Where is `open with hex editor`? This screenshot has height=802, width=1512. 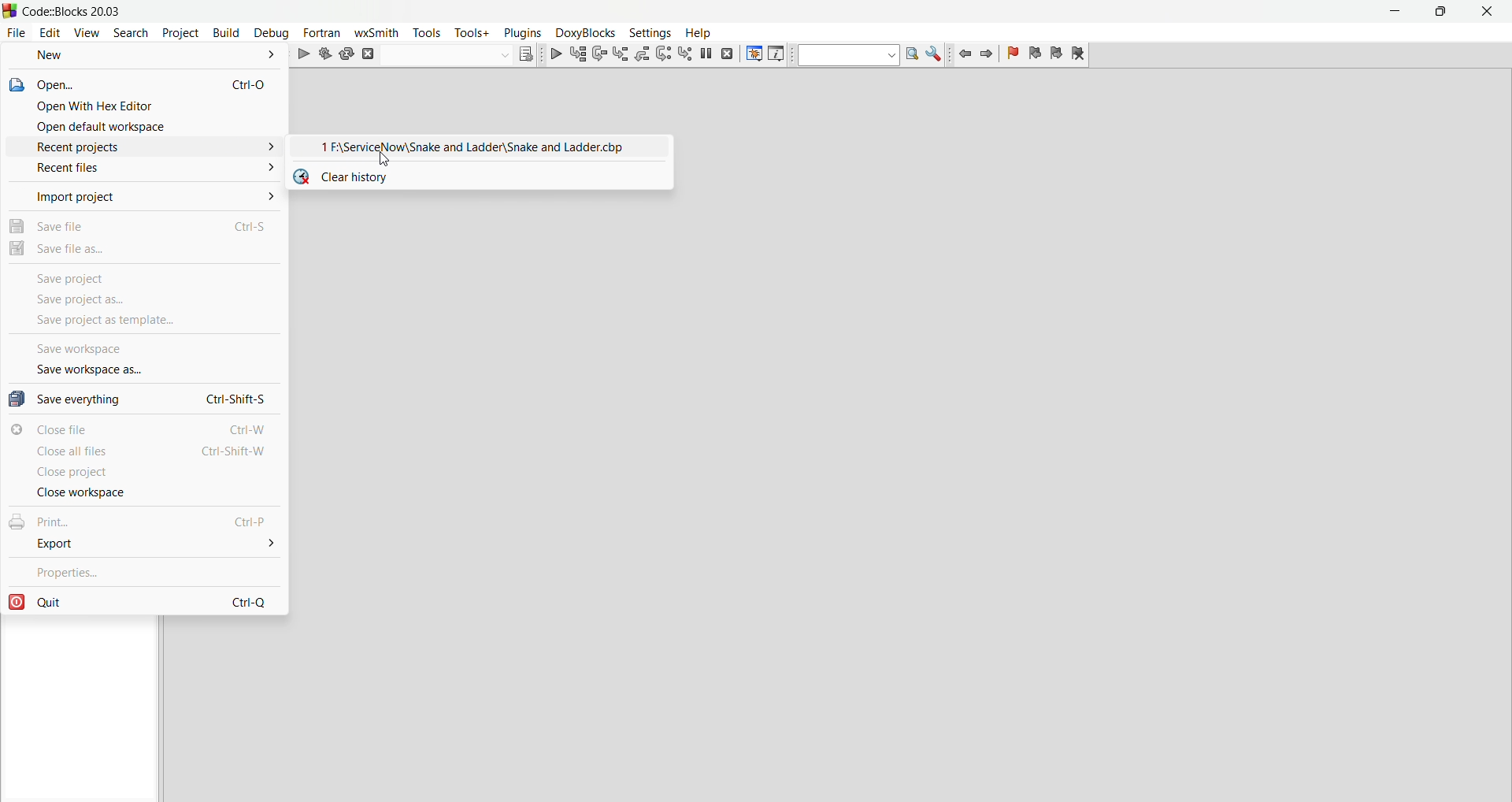
open with hex editor is located at coordinates (145, 105).